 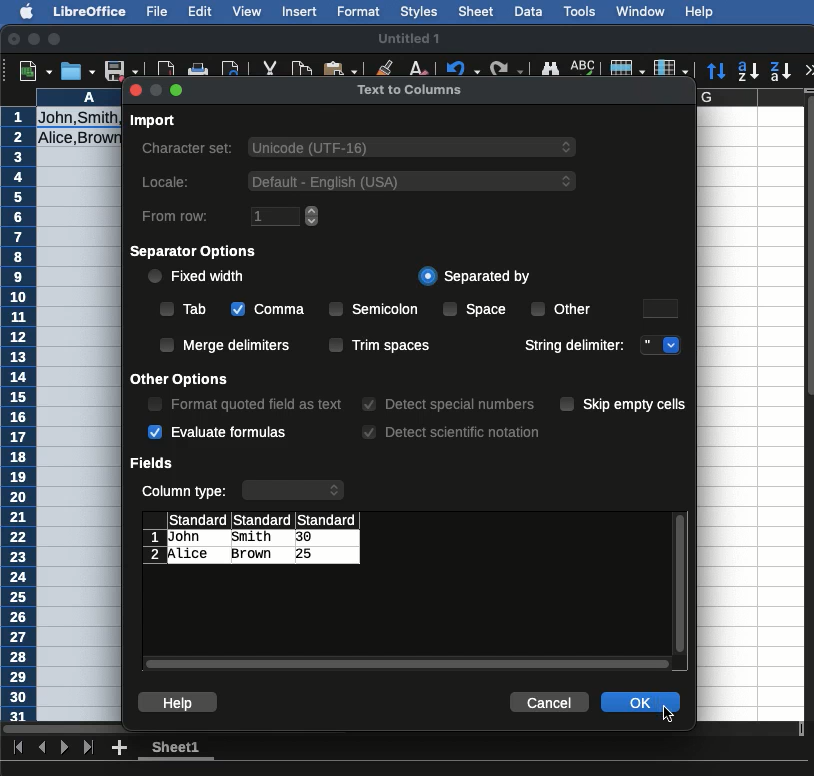 I want to click on Format quoted field as text, so click(x=245, y=405).